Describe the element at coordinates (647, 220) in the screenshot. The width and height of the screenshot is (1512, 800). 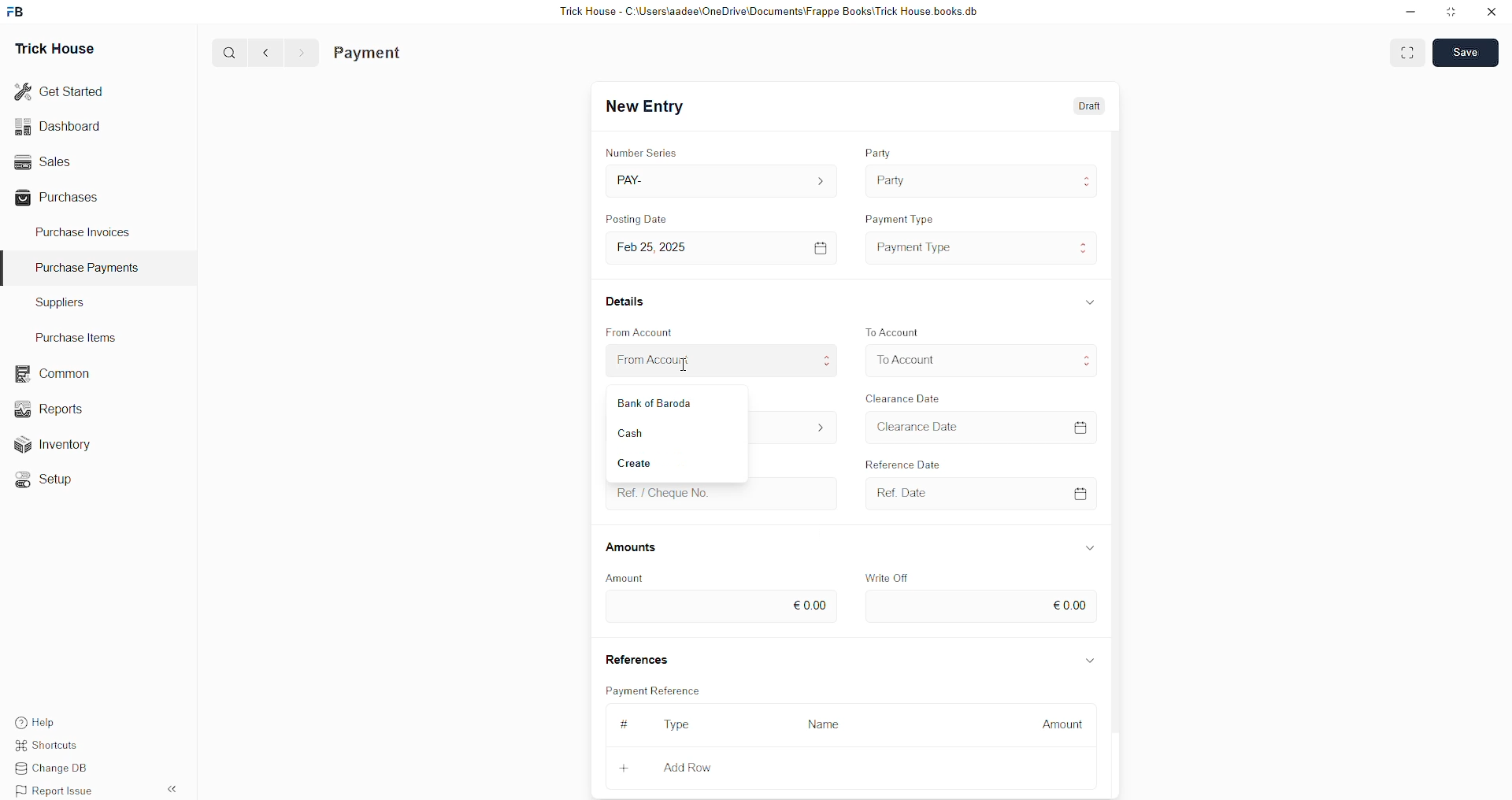
I see `Posting Date` at that location.